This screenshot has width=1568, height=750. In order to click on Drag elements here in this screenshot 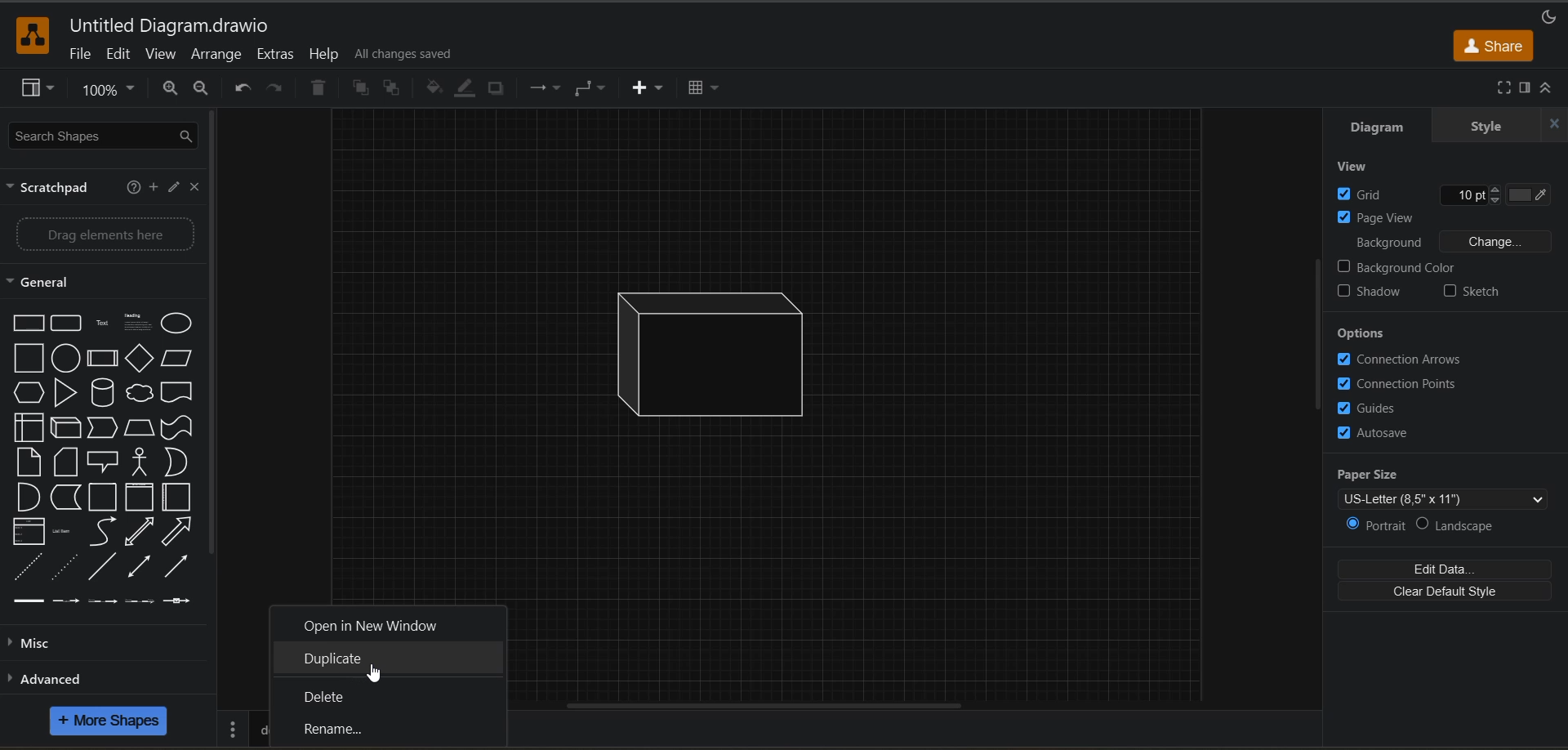, I will do `click(106, 236)`.